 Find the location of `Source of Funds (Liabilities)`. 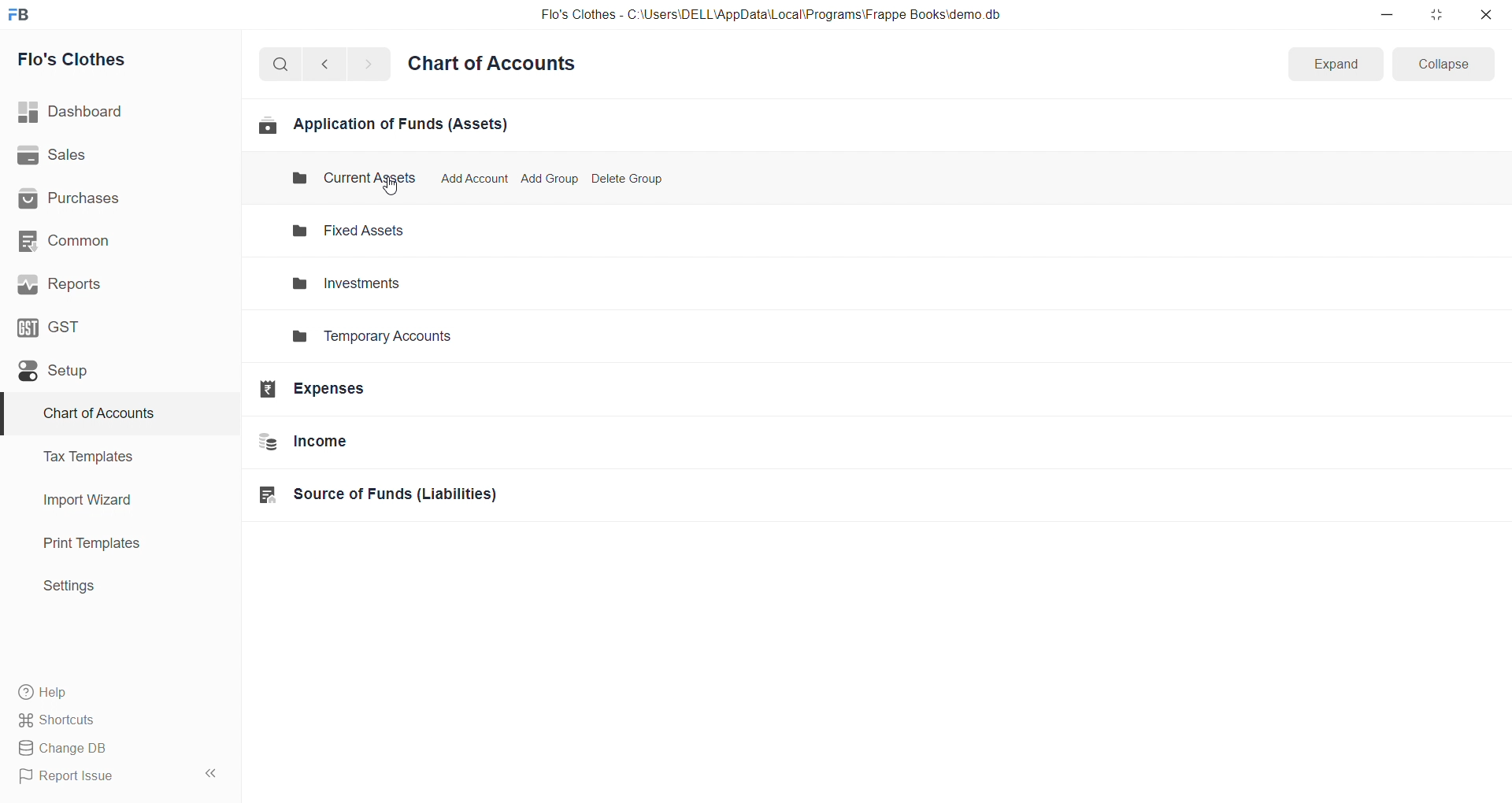

Source of Funds (Liabilities) is located at coordinates (381, 496).